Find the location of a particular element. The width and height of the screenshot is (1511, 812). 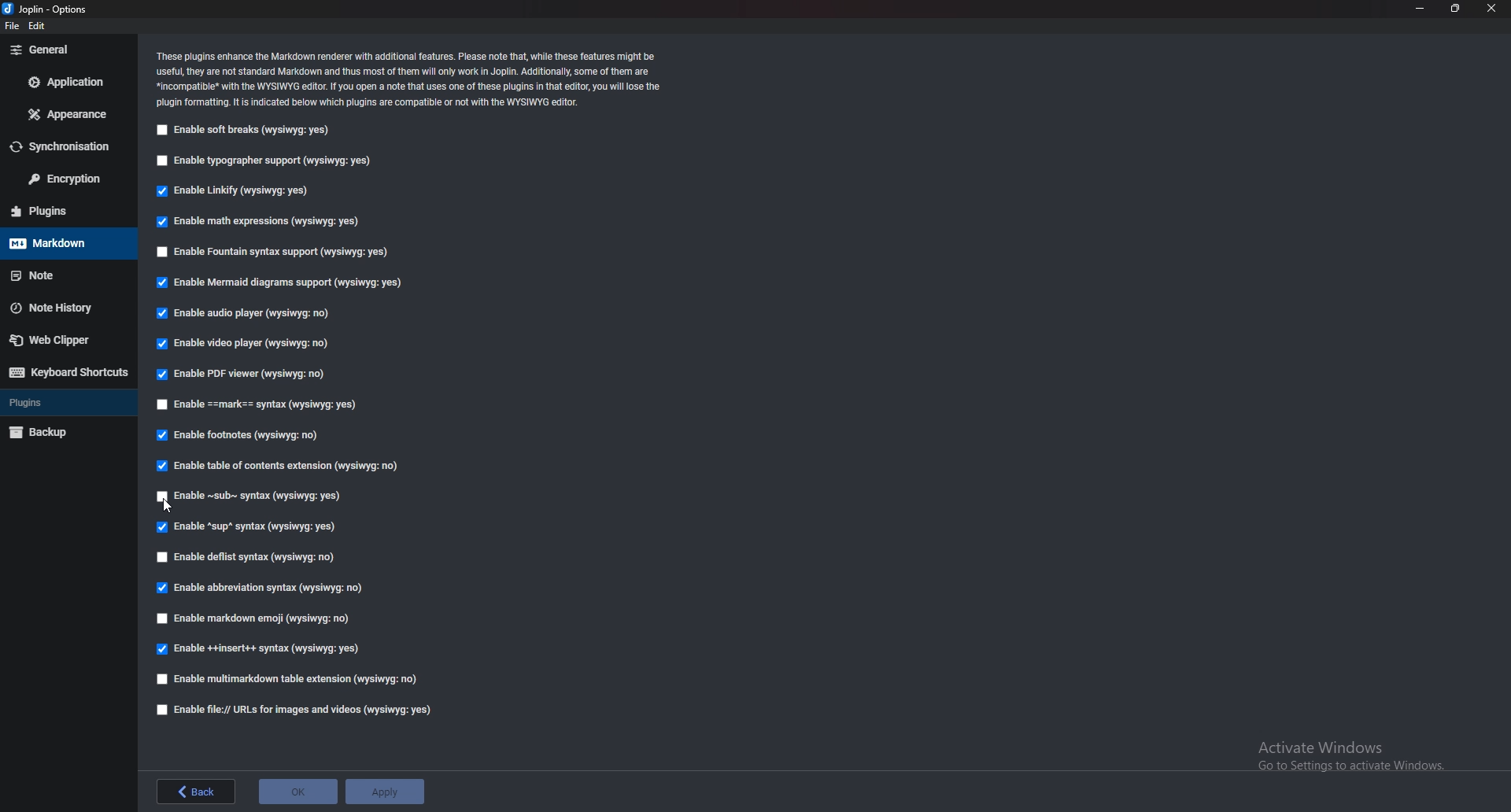

Enable multi markdown table extension is located at coordinates (288, 677).